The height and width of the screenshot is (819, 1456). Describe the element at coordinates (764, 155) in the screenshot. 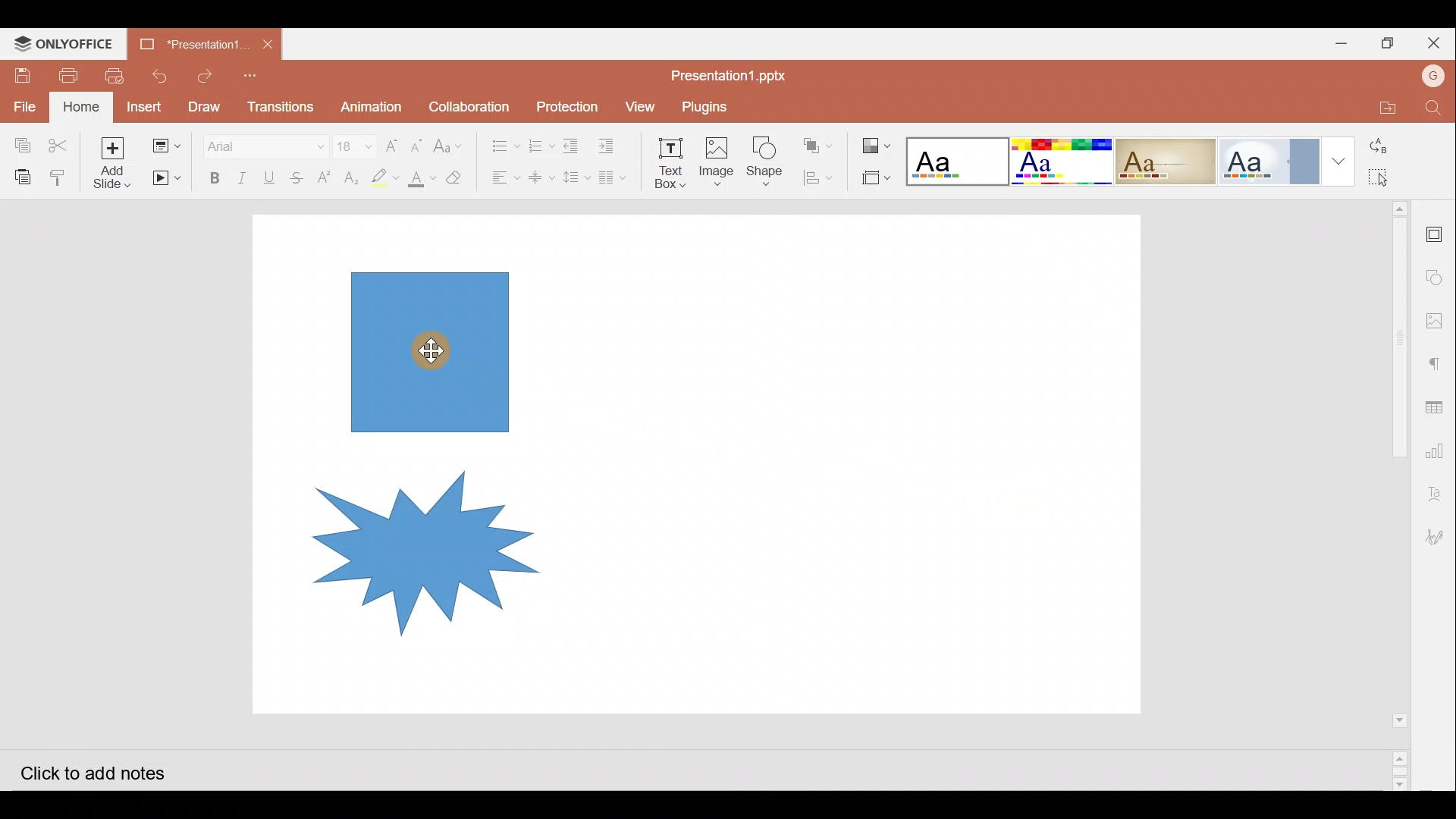

I see `Insert shape` at that location.